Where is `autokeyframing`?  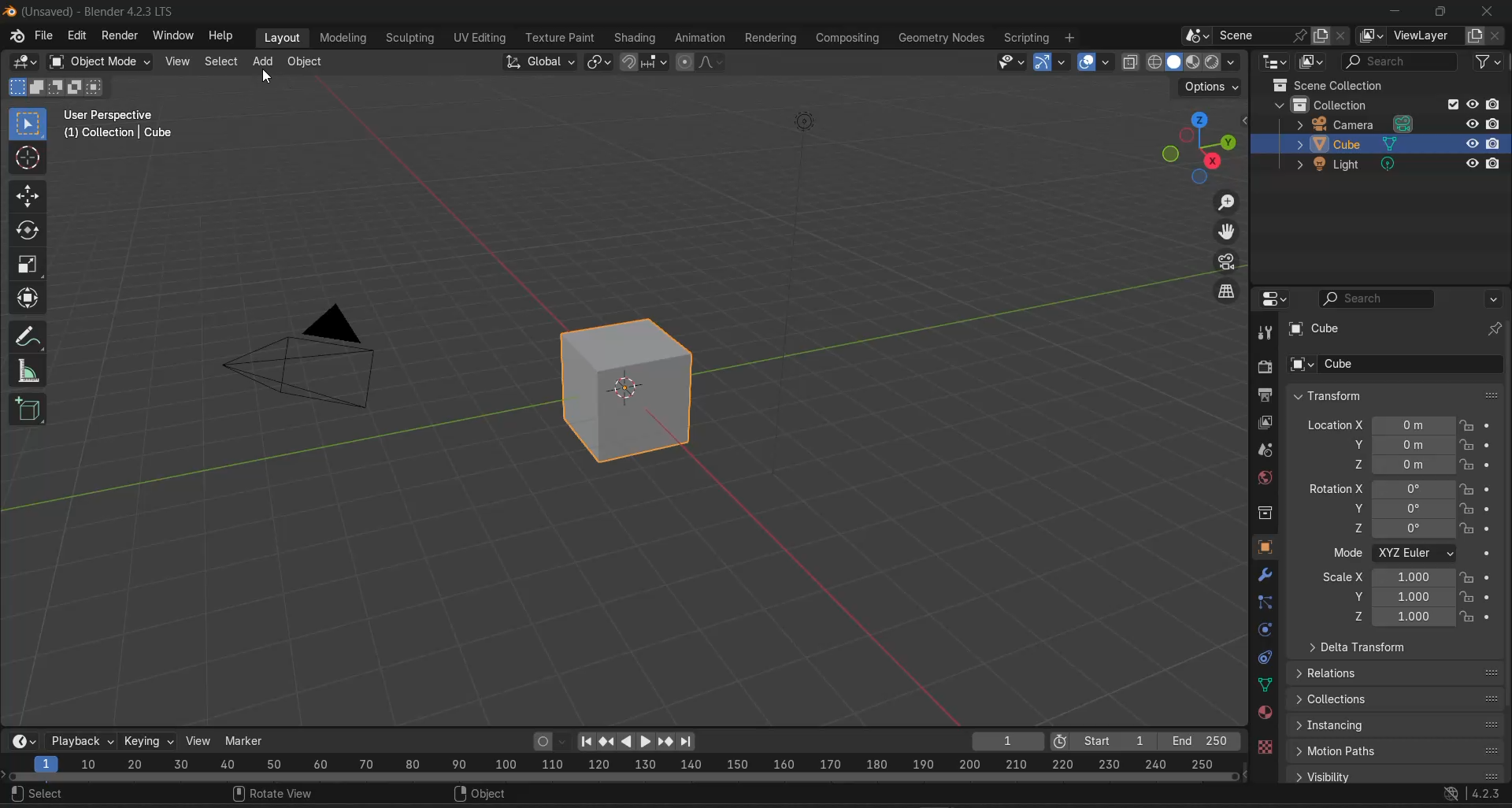 autokeyframing is located at coordinates (565, 742).